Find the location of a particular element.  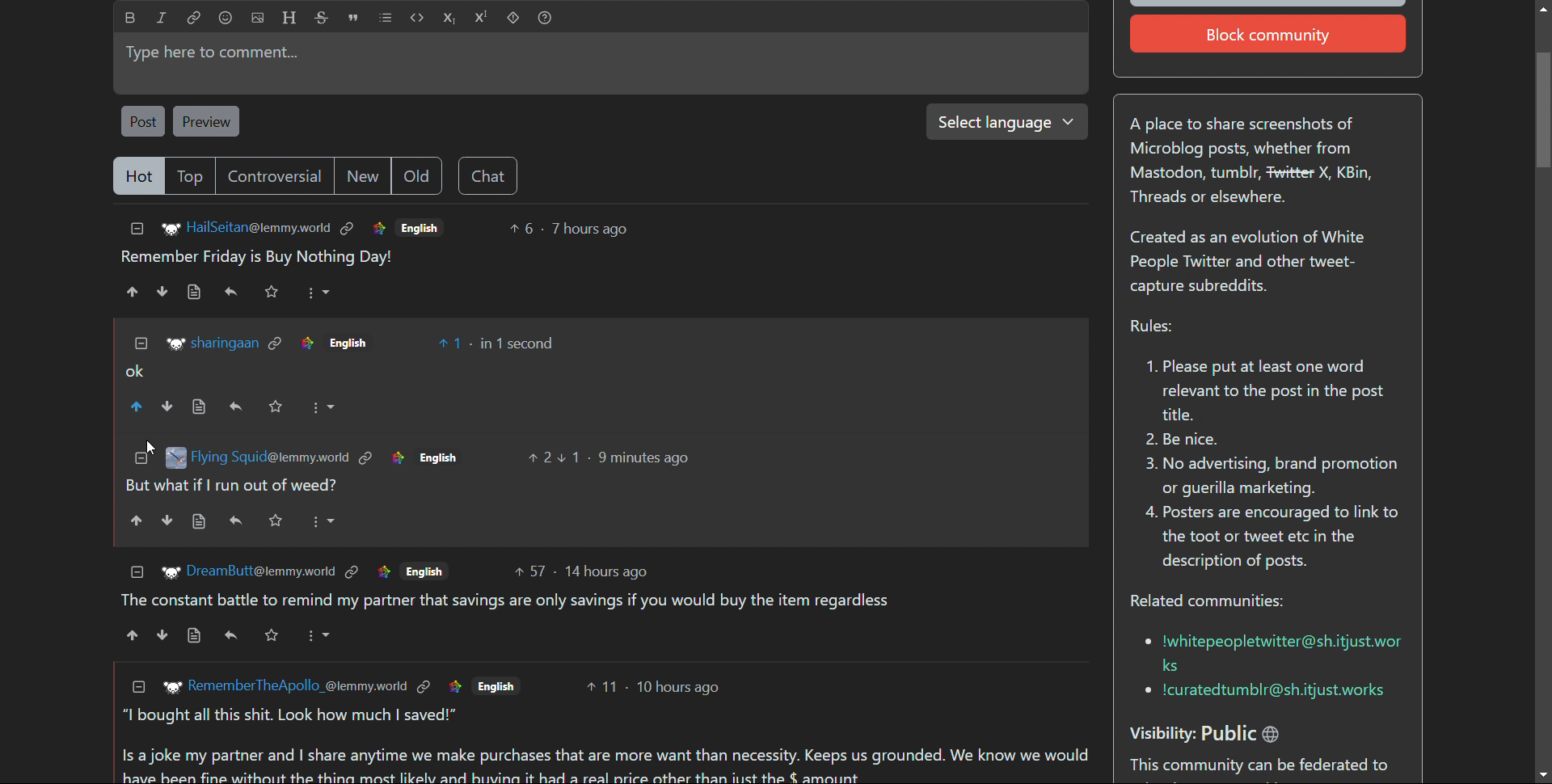

time of posting is located at coordinates (611, 568).